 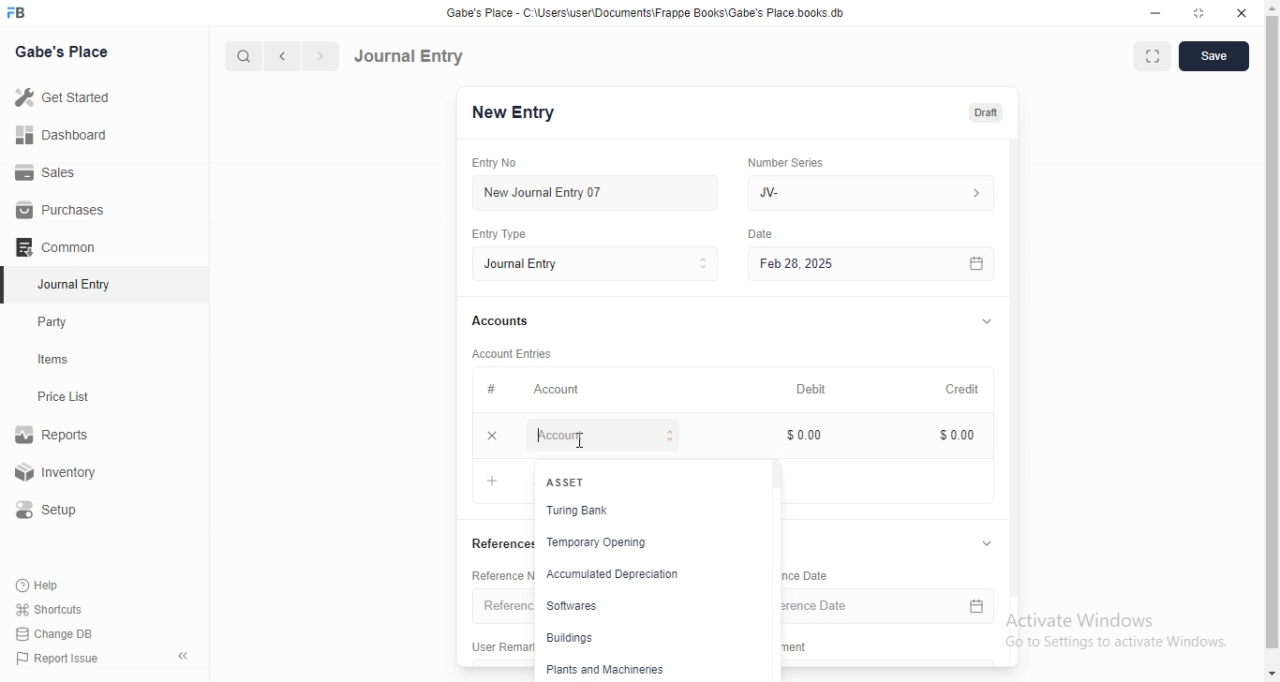 I want to click on ‘Account Entries, so click(x=521, y=353).